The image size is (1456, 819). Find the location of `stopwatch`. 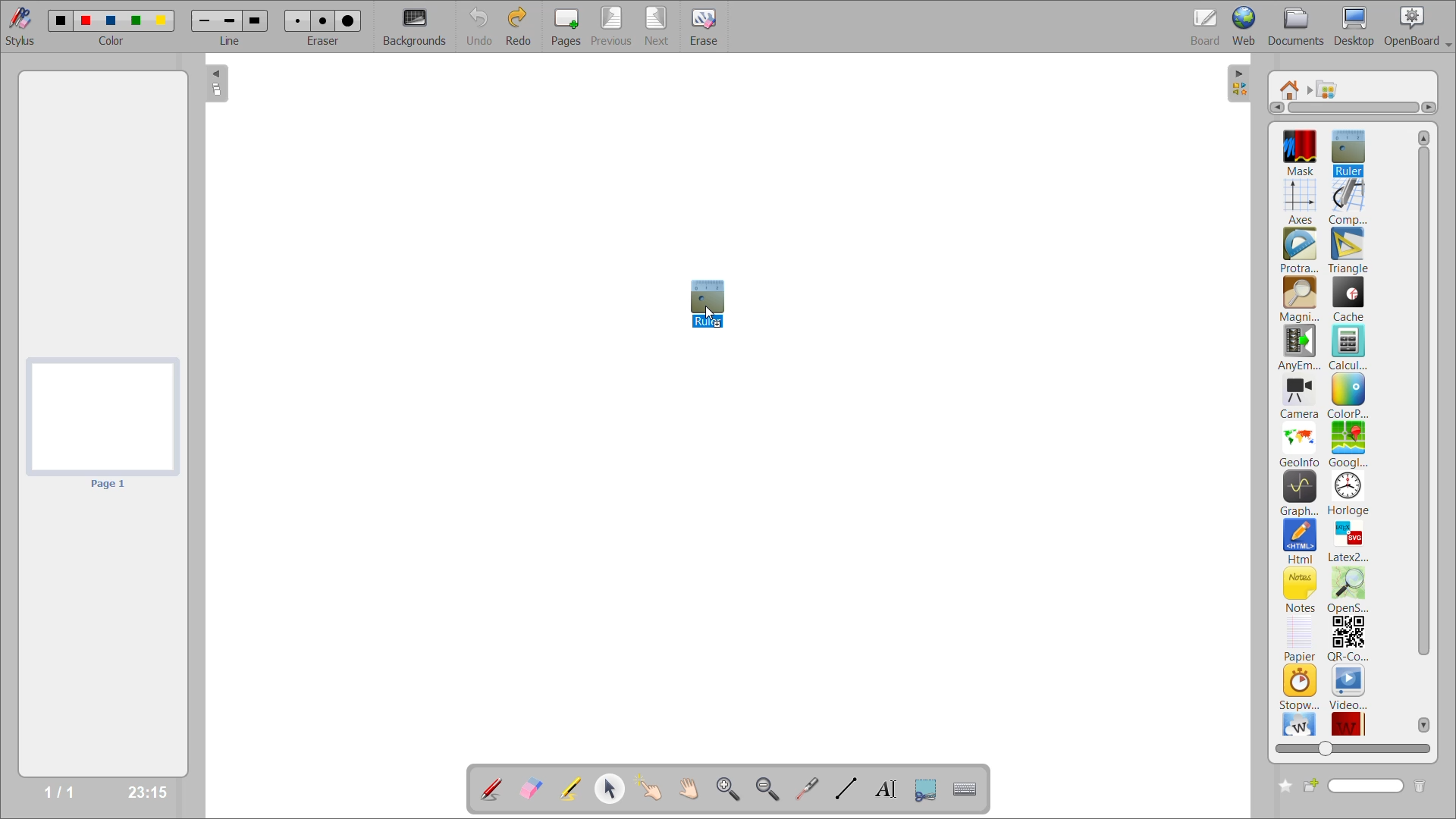

stopwatch is located at coordinates (1299, 686).